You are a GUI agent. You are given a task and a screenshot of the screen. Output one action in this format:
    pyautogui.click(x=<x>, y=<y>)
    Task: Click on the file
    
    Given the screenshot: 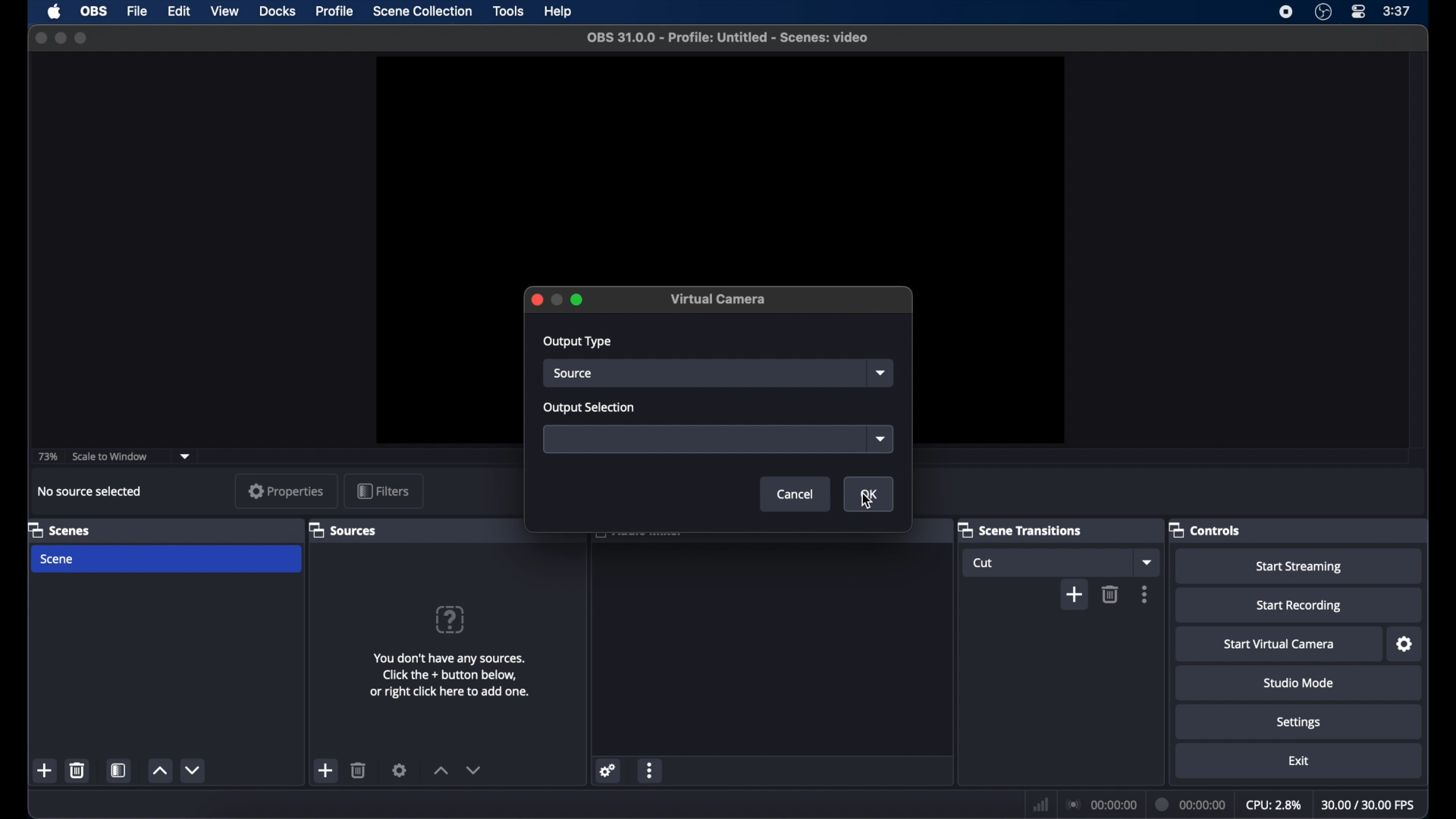 What is the action you would take?
    pyautogui.click(x=136, y=11)
    